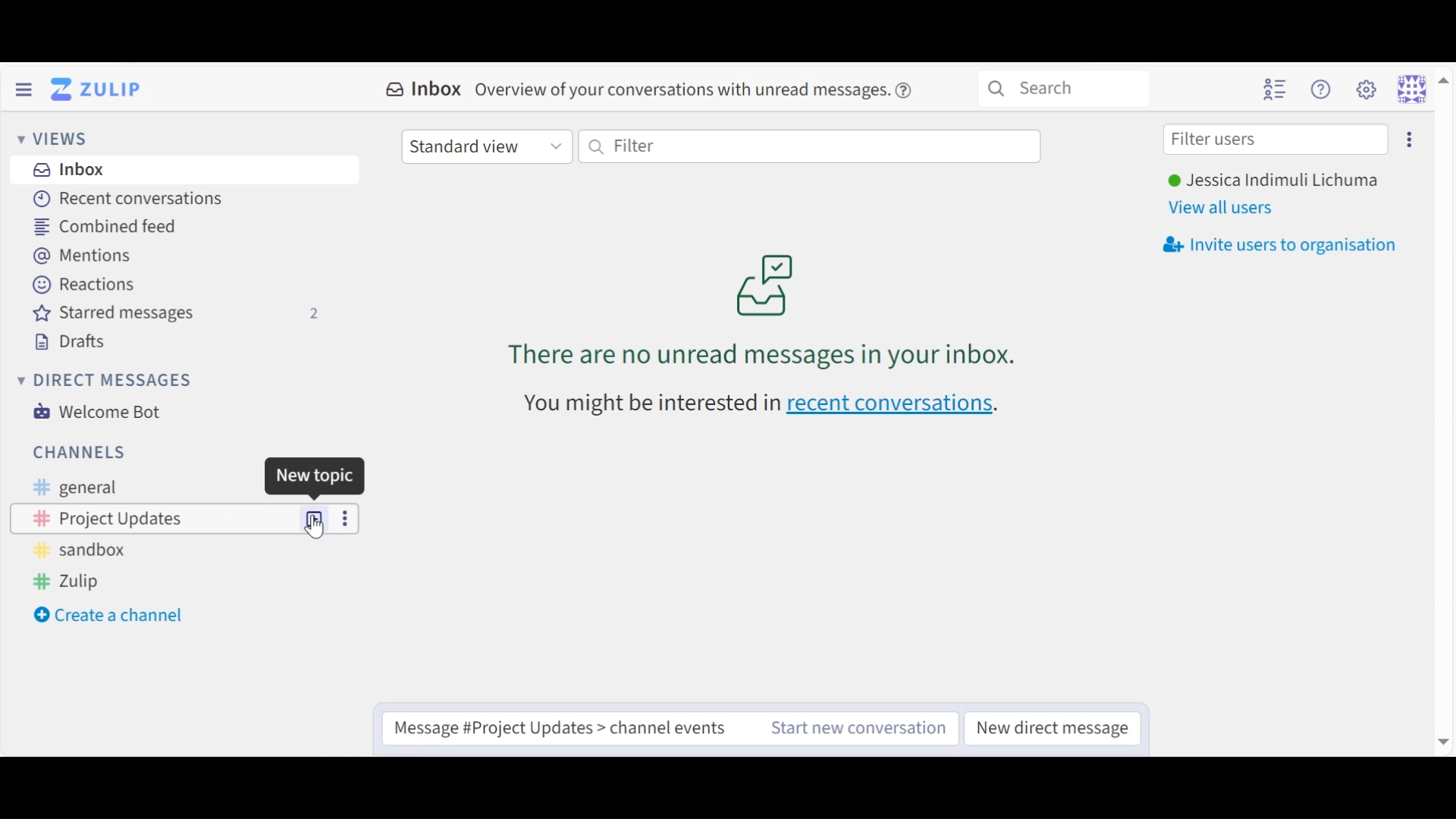  Describe the element at coordinates (71, 171) in the screenshot. I see `Inbox` at that location.